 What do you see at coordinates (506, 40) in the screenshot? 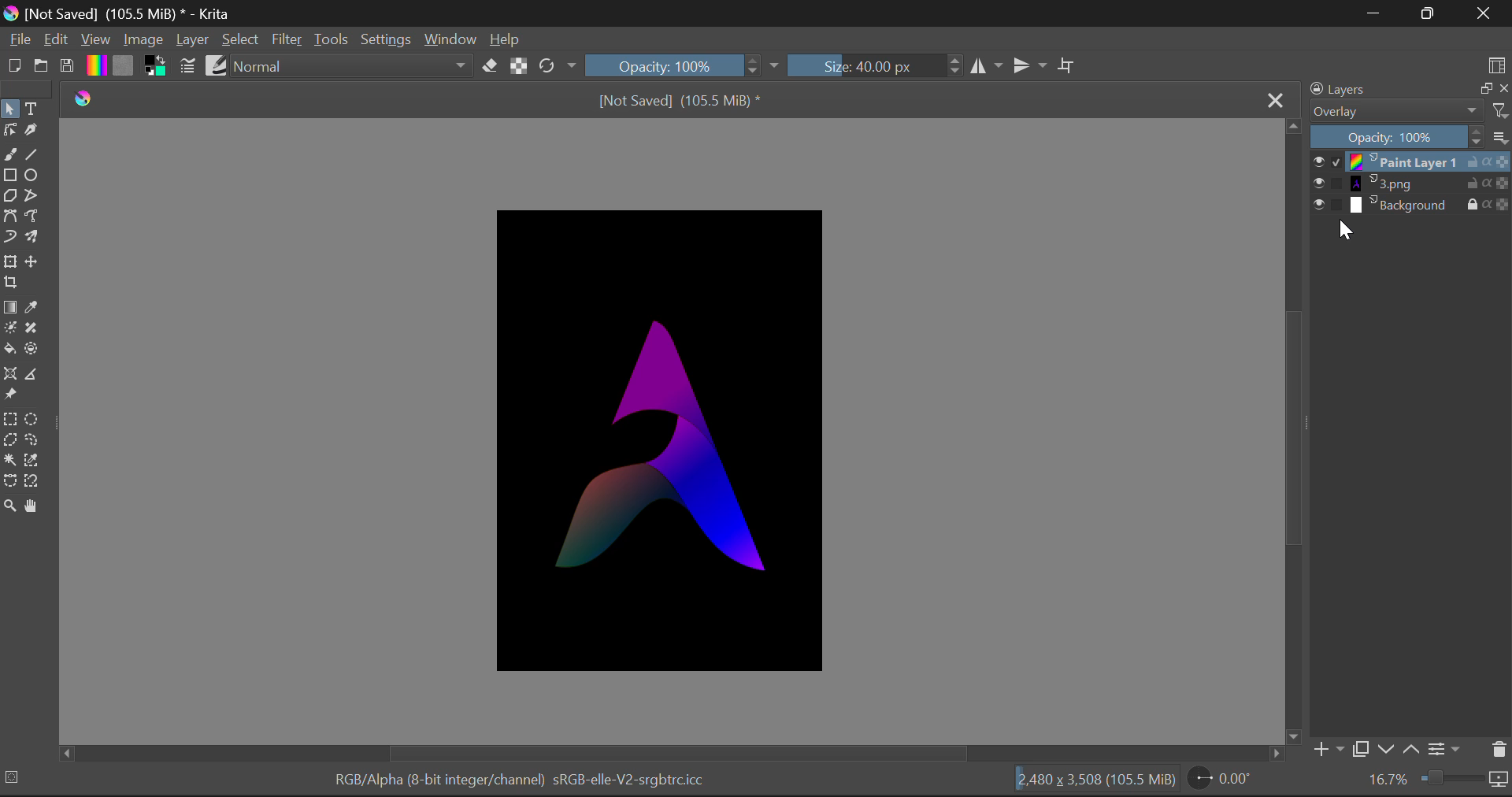
I see `Help` at bounding box center [506, 40].